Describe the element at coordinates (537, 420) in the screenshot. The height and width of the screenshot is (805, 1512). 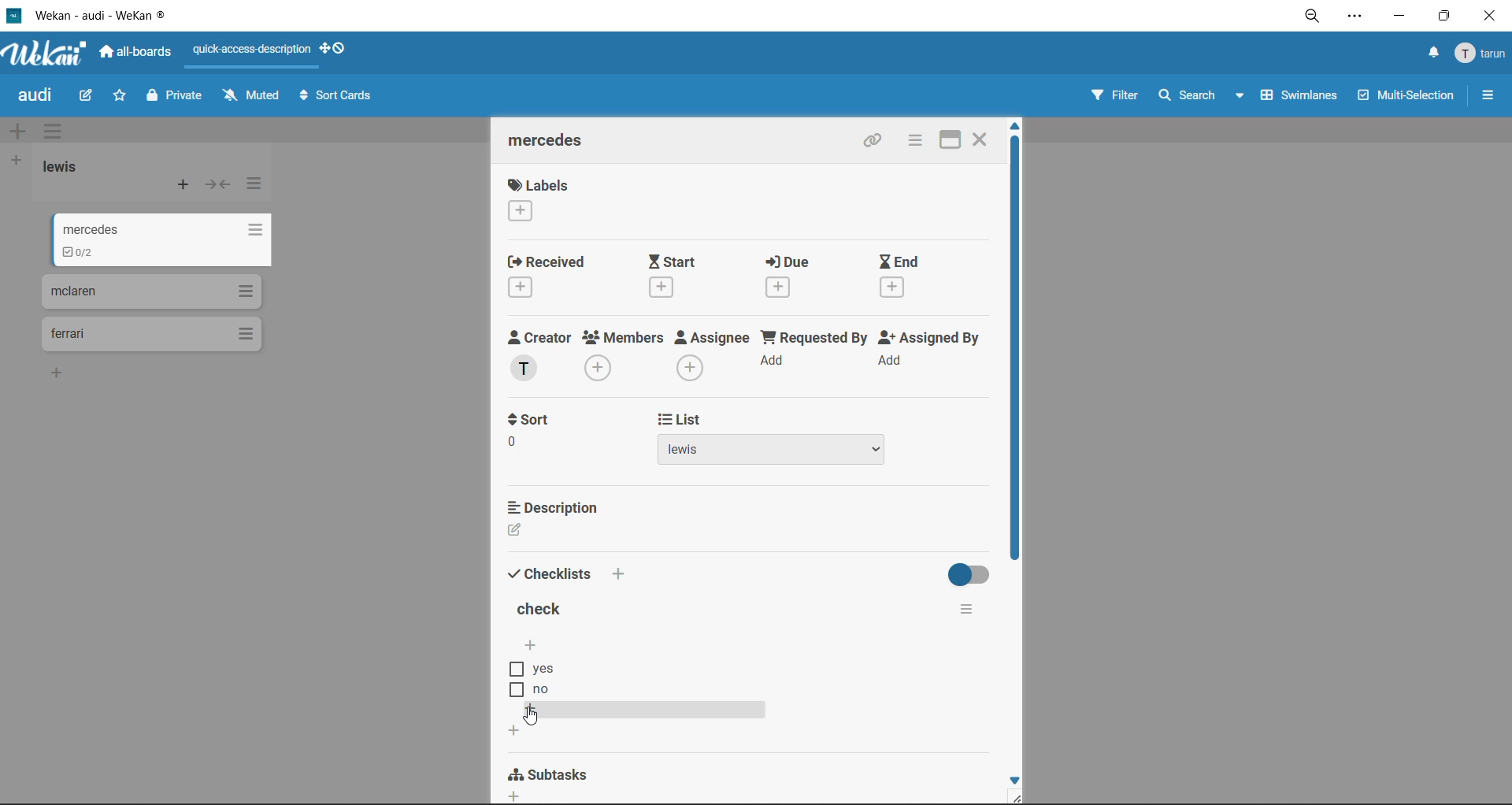
I see `sort` at that location.